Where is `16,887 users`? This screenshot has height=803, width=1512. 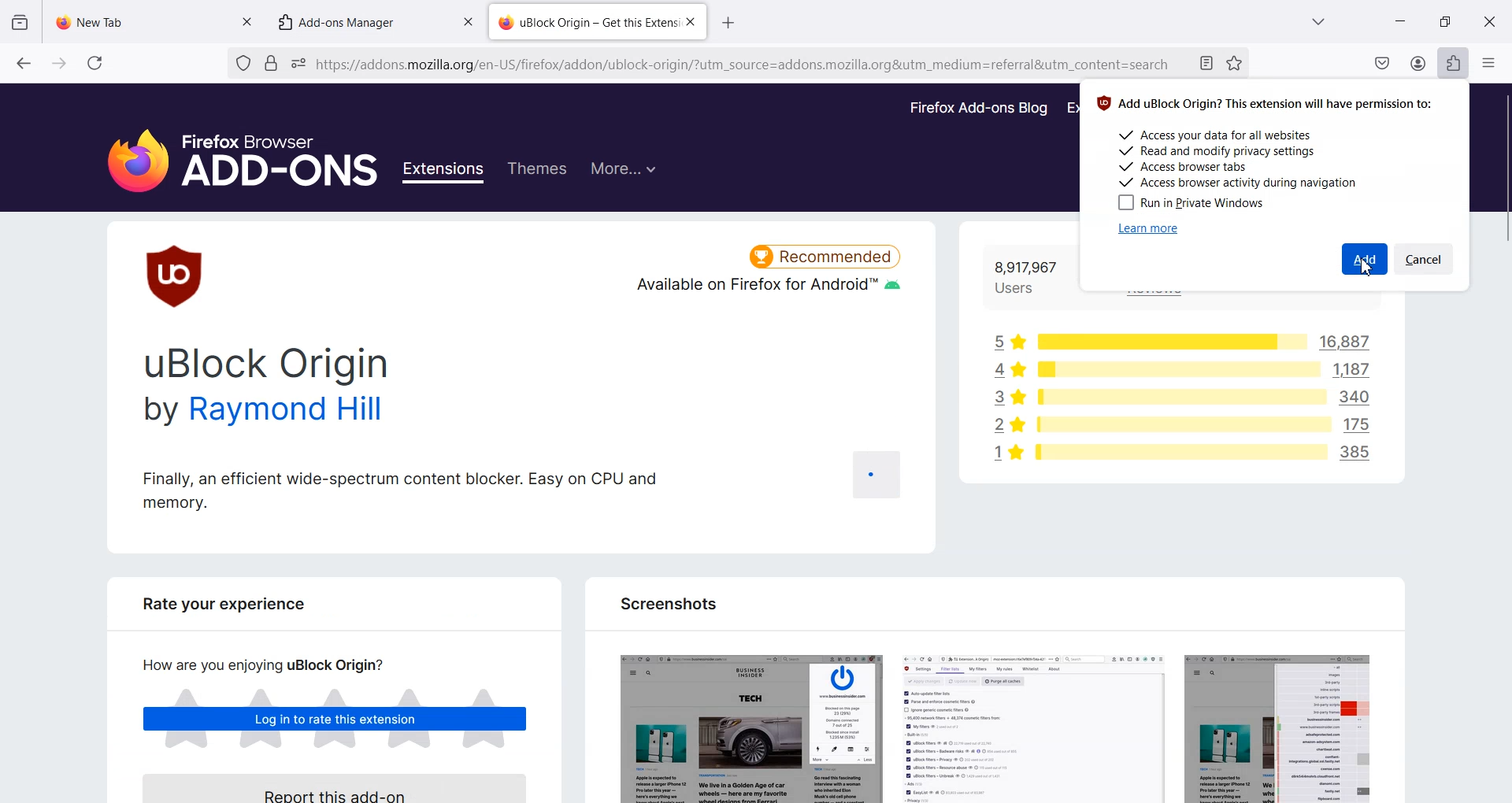
16,887 users is located at coordinates (1336, 342).